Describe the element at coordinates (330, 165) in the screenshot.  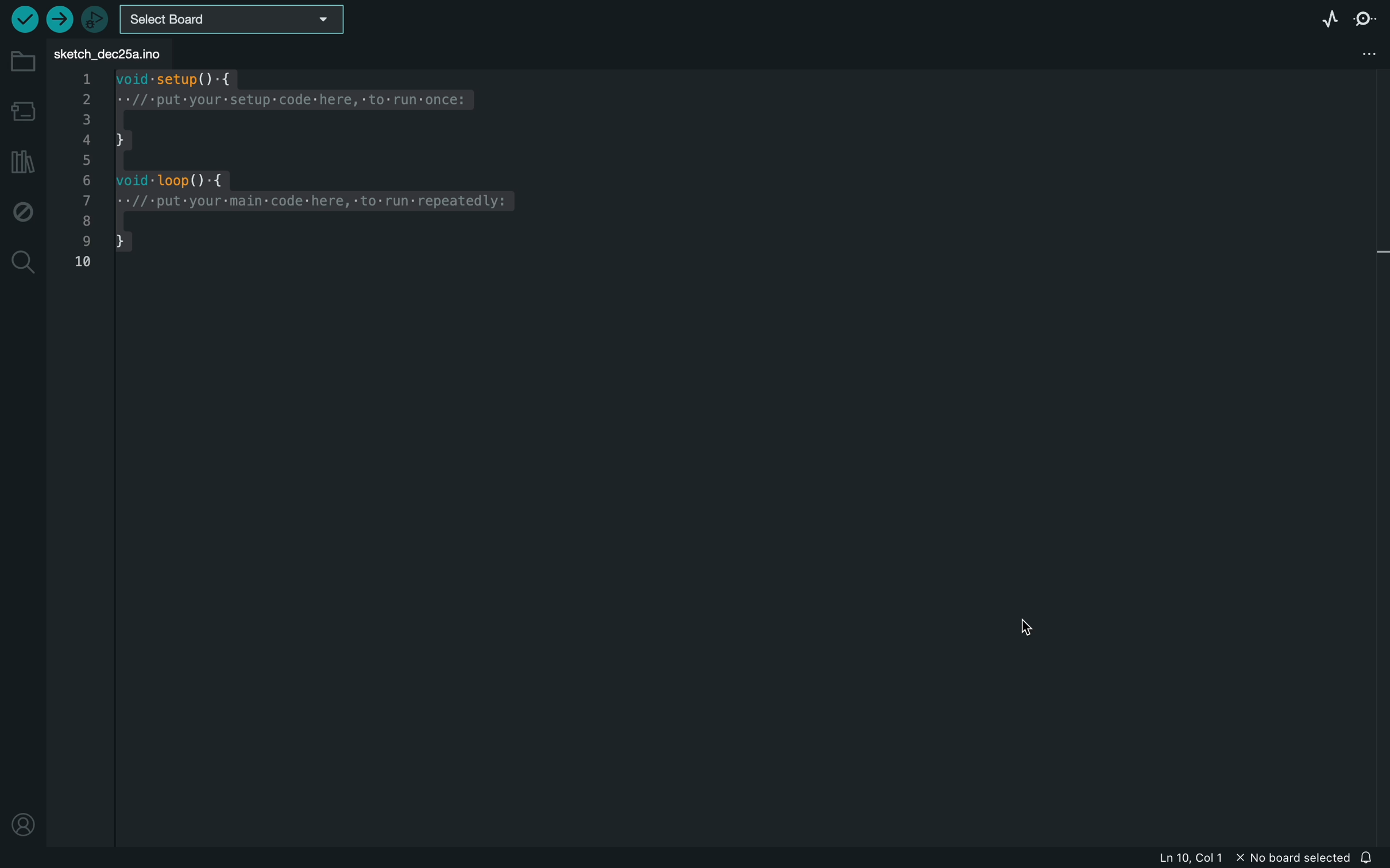
I see `code` at that location.